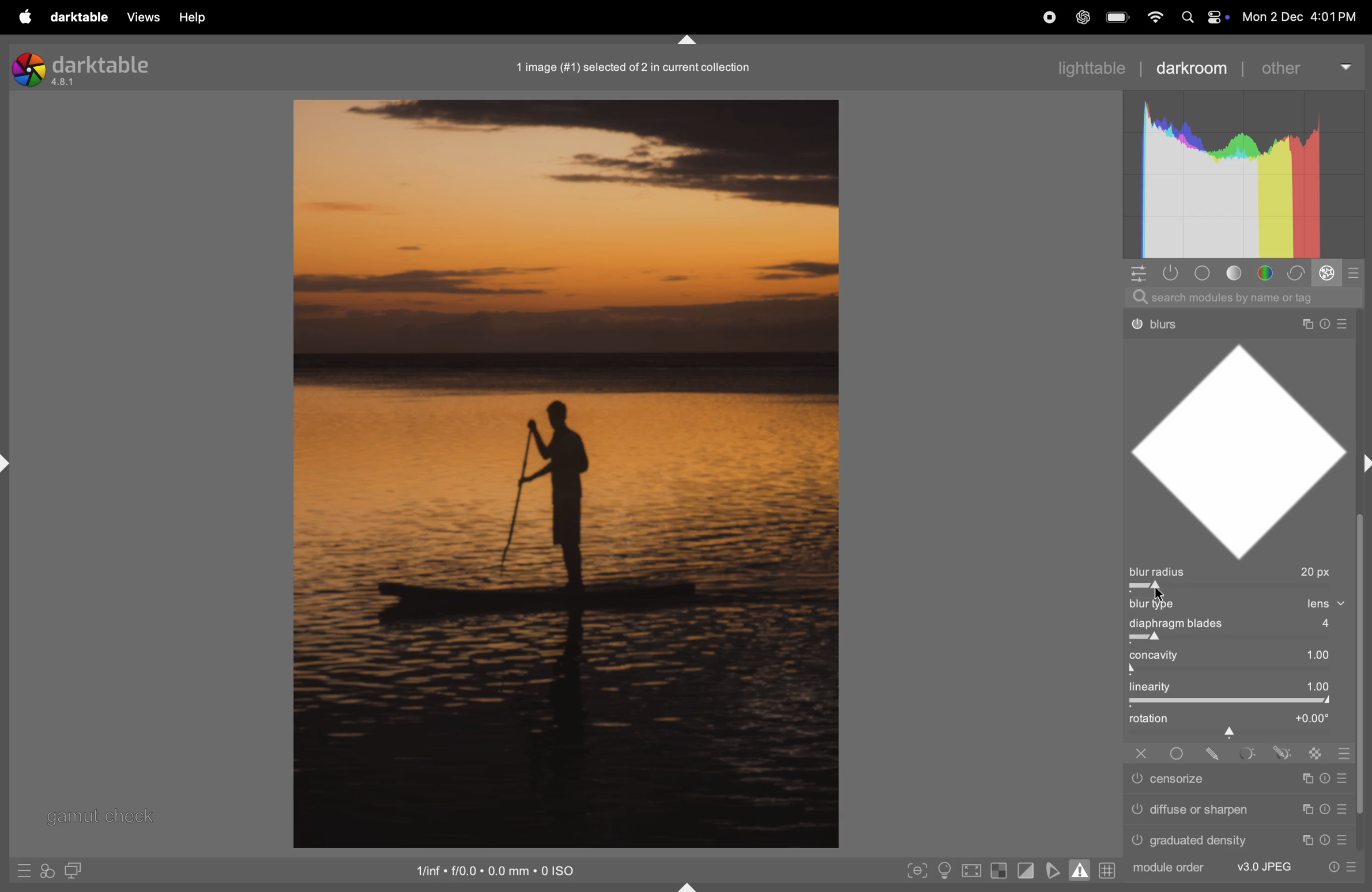 The width and height of the screenshot is (1372, 892). I want to click on correct, so click(1299, 273).